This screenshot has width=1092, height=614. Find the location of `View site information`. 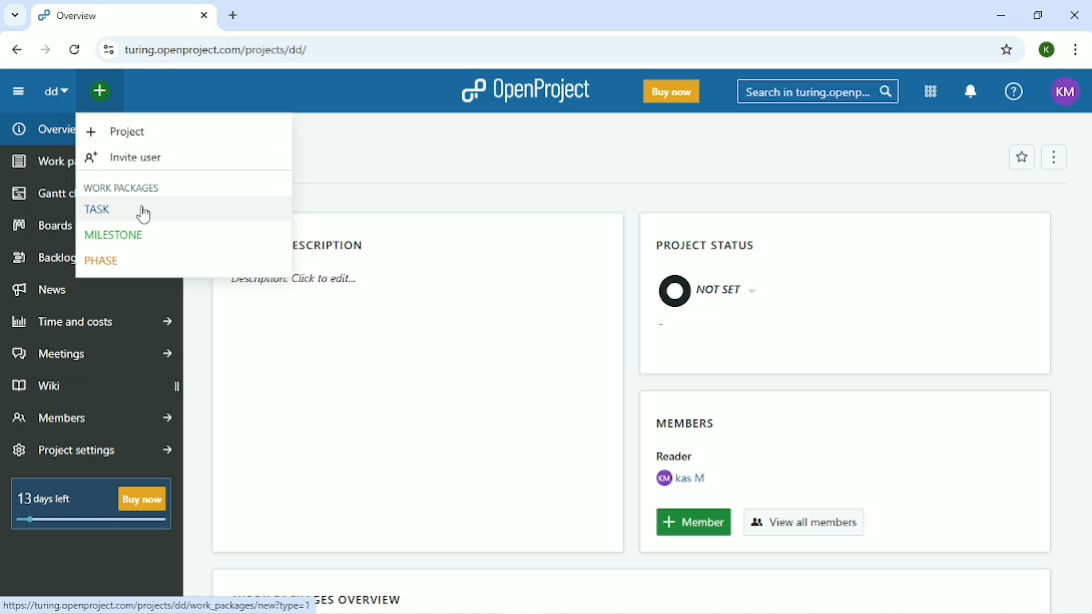

View site information is located at coordinates (108, 50).